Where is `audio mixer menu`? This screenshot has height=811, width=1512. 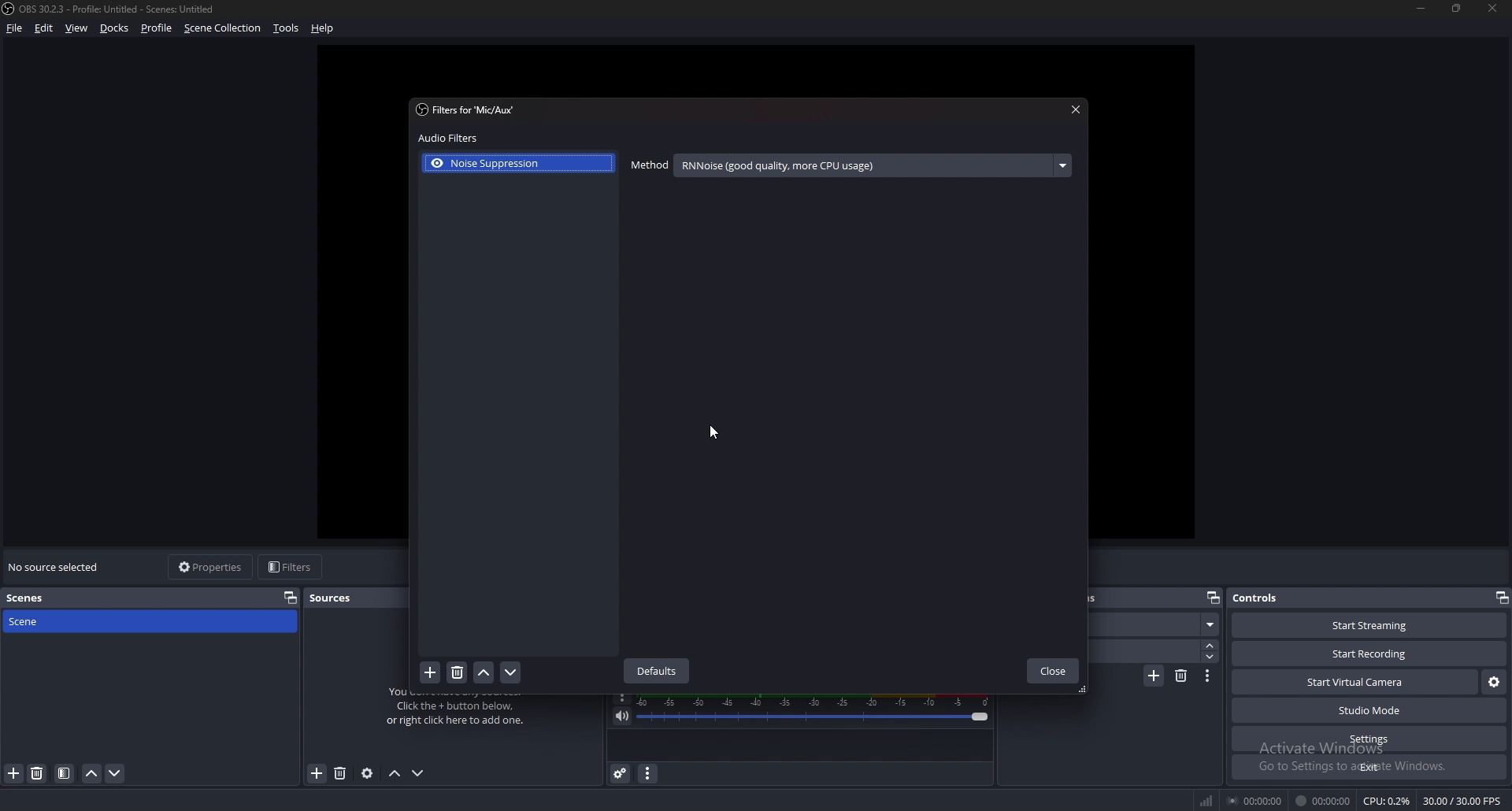
audio mixer menu is located at coordinates (648, 775).